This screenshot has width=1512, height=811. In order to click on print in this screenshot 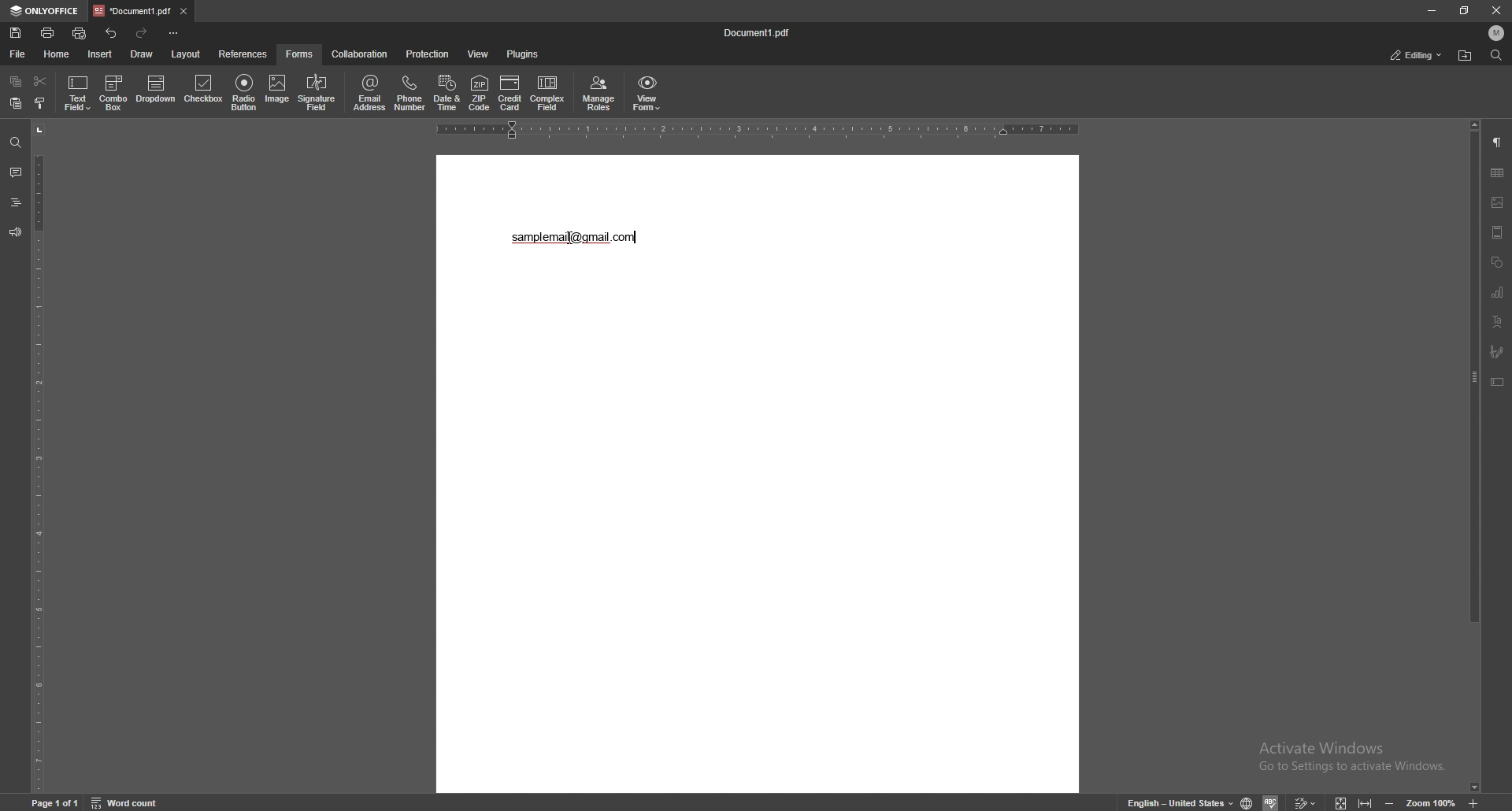, I will do `click(48, 32)`.